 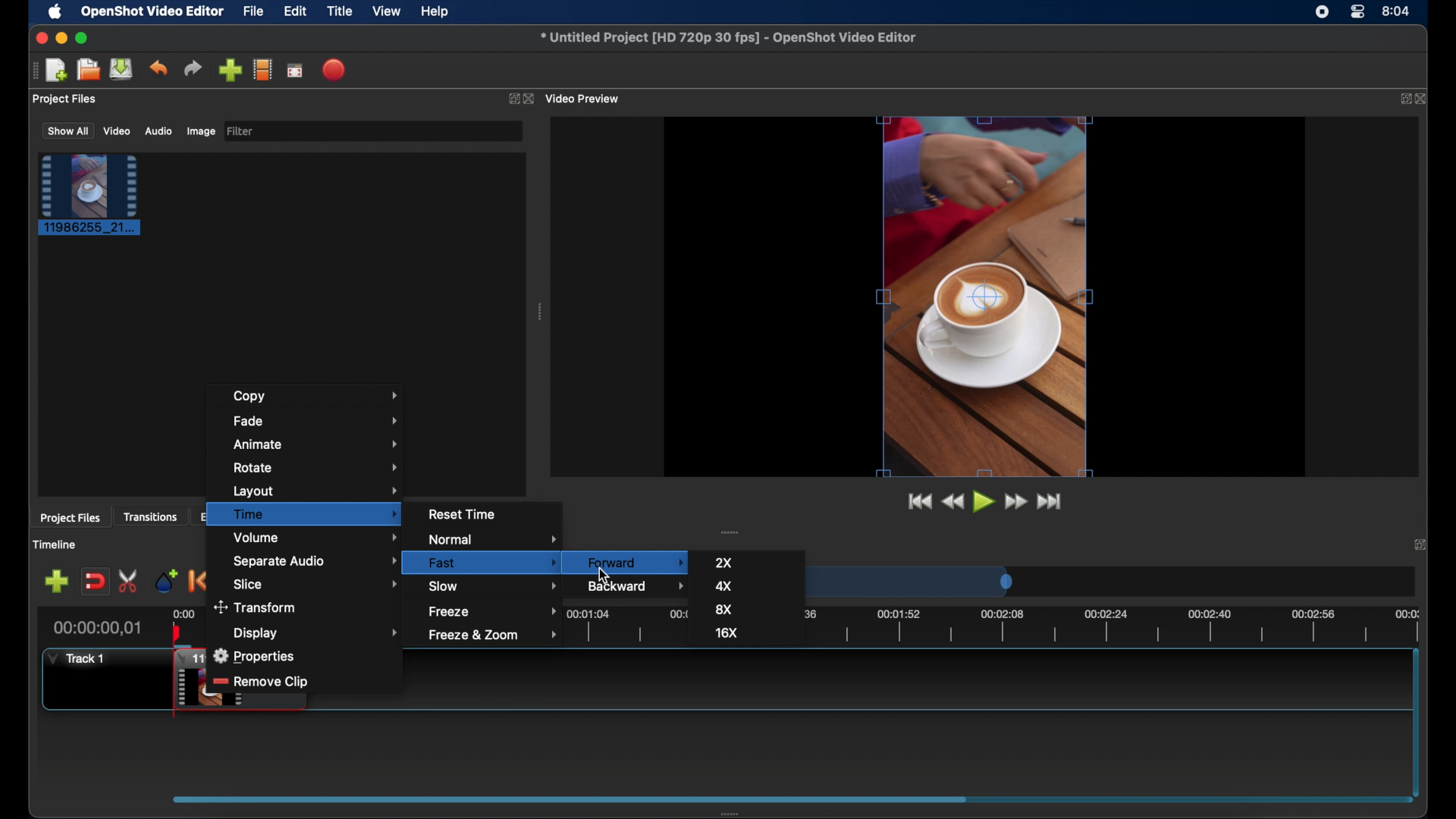 What do you see at coordinates (262, 71) in the screenshot?
I see `explore profiles` at bounding box center [262, 71].